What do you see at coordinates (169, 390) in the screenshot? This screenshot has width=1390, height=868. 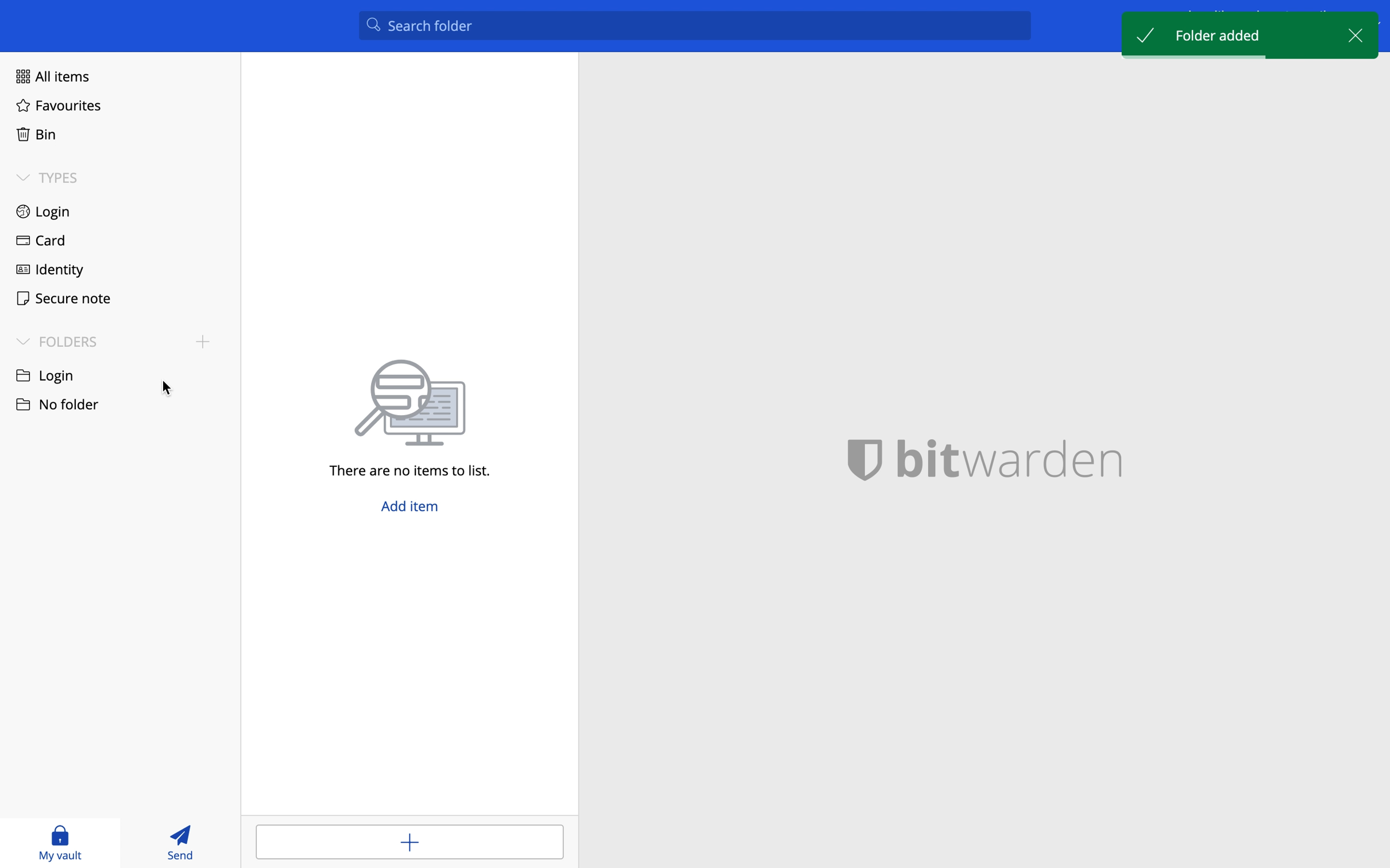 I see `cursor` at bounding box center [169, 390].